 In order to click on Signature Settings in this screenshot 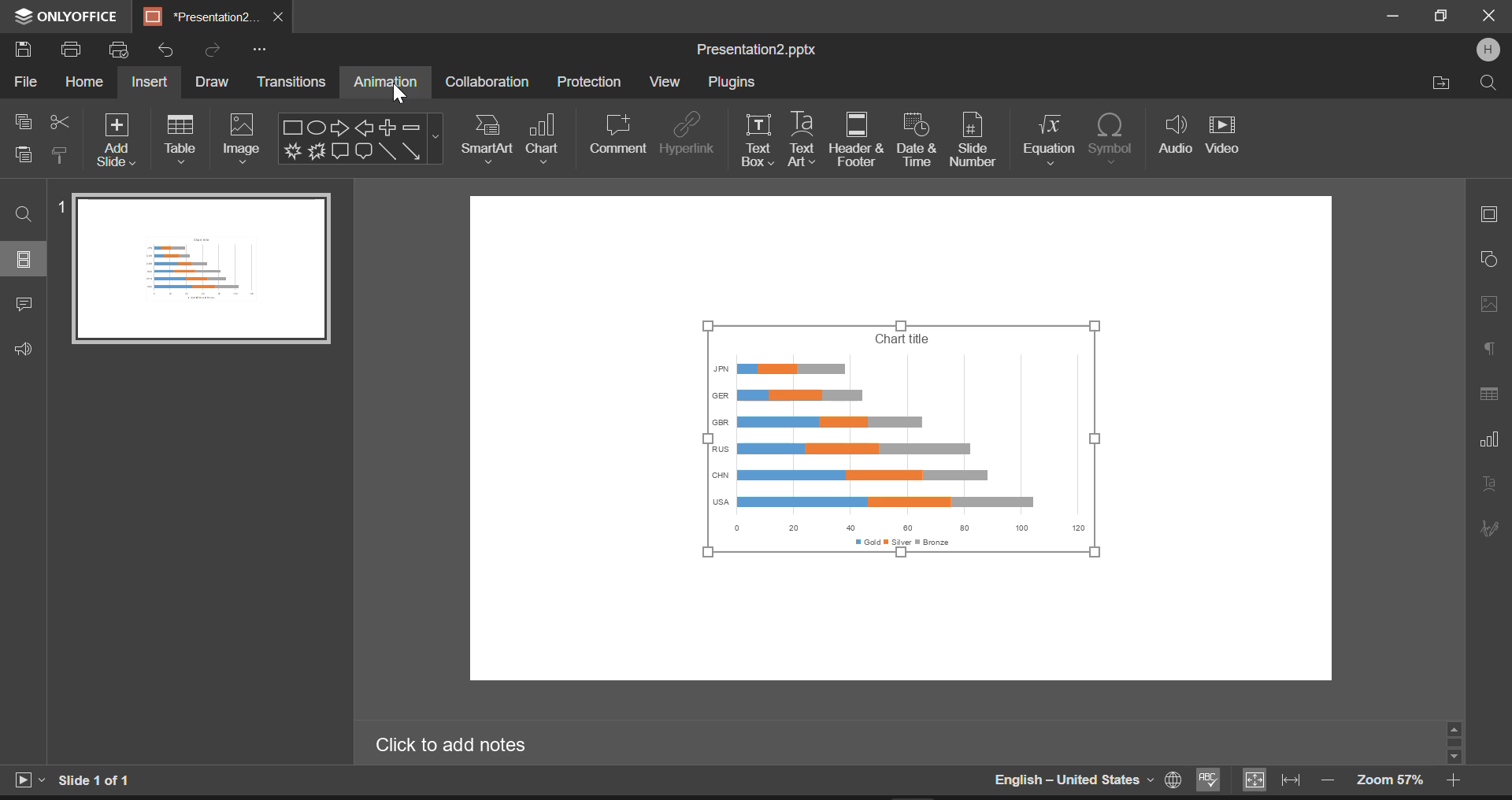, I will do `click(1488, 528)`.